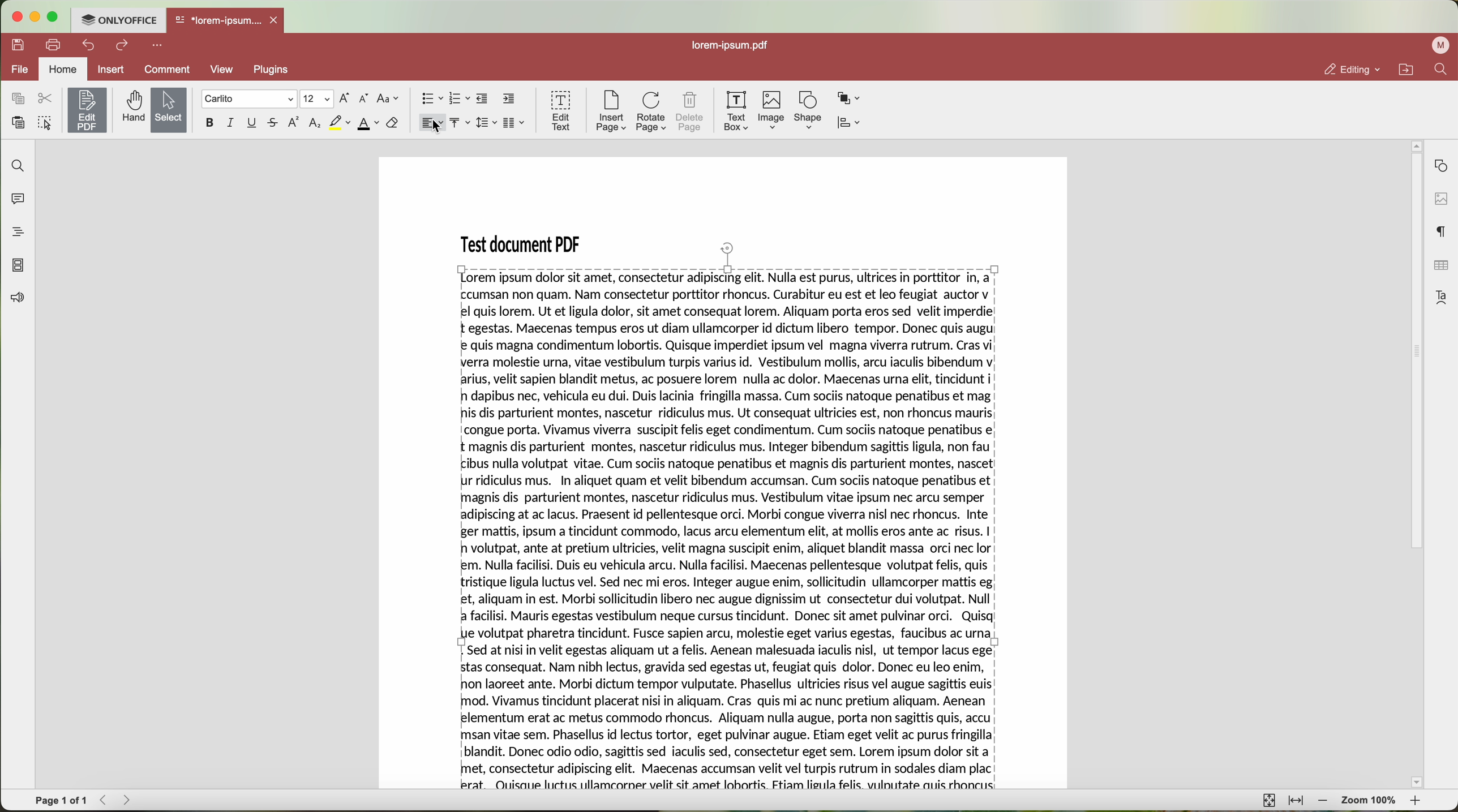 The image size is (1458, 812). Describe the element at coordinates (340, 123) in the screenshot. I see `highlight color` at that location.